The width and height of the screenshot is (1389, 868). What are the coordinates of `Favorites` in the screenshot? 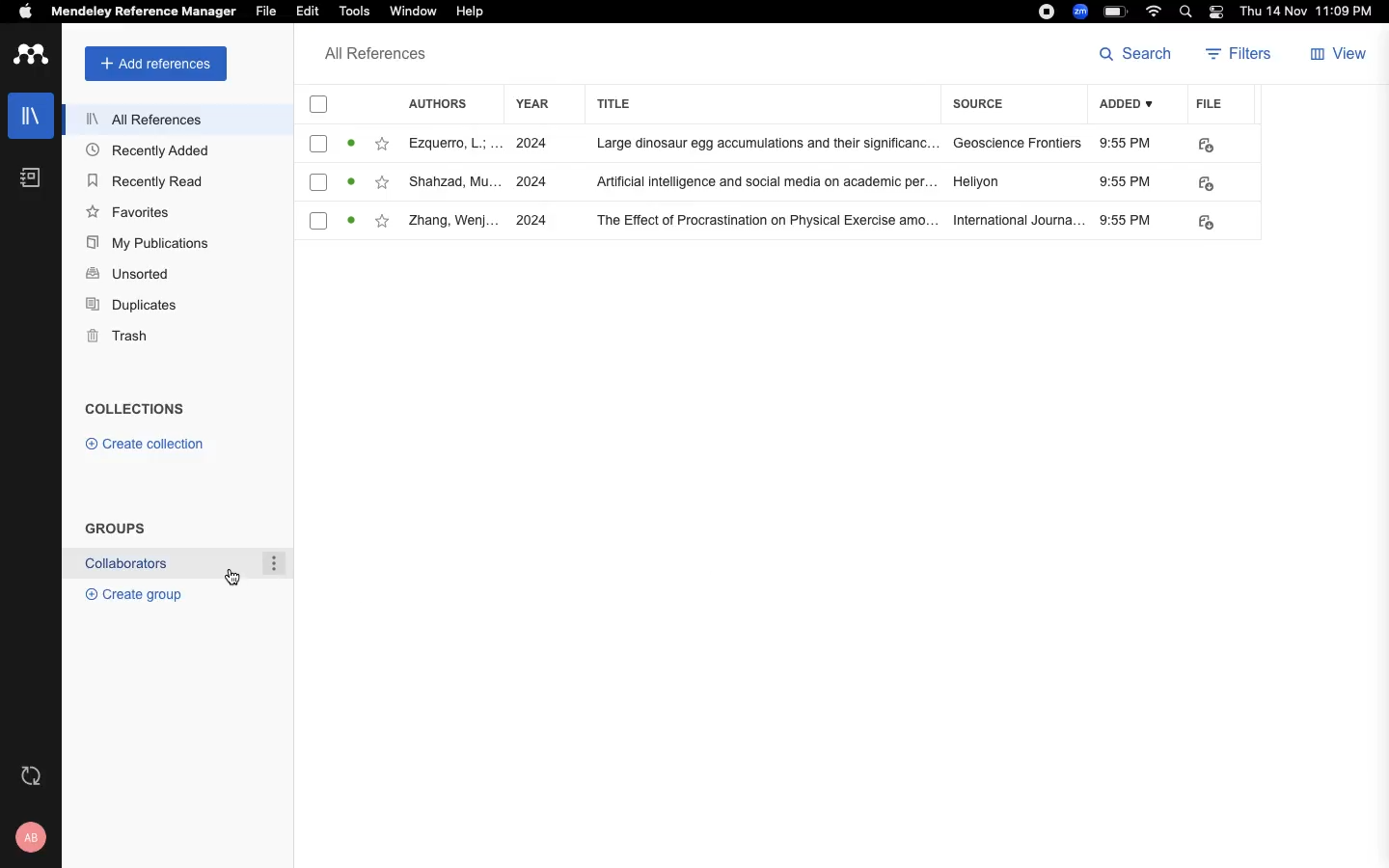 It's located at (132, 211).